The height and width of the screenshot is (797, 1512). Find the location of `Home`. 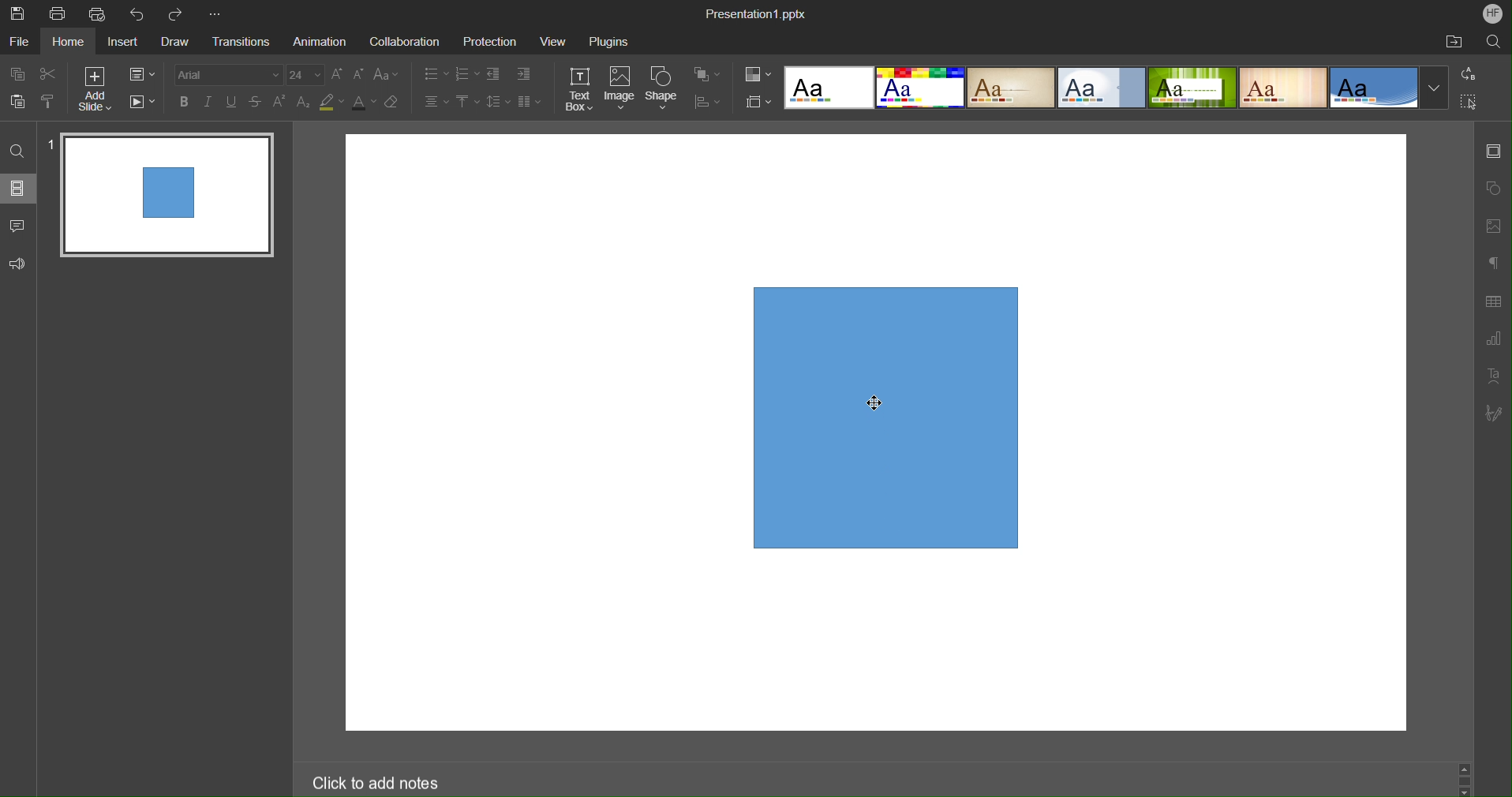

Home is located at coordinates (69, 41).